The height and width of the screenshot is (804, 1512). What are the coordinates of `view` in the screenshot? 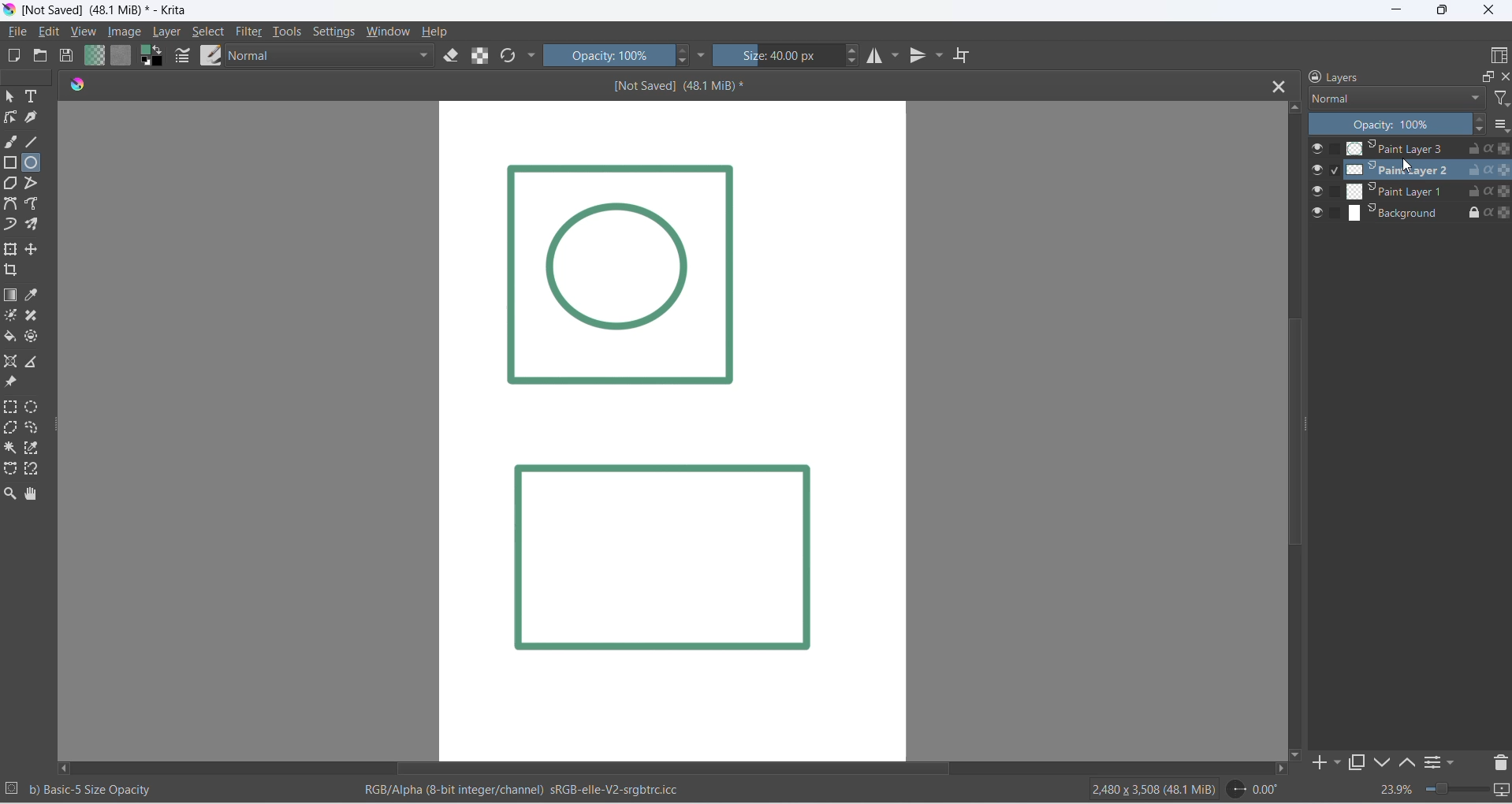 It's located at (83, 33).